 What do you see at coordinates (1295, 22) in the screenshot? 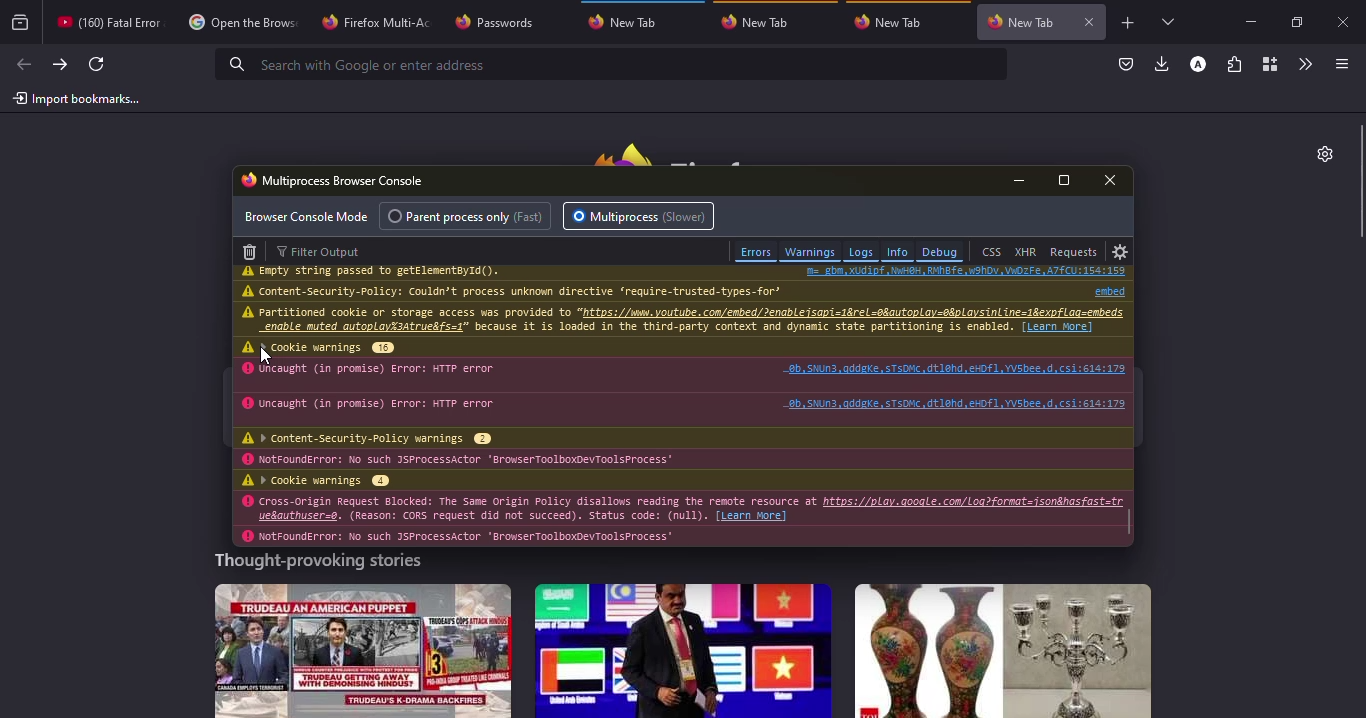
I see `maximize` at bounding box center [1295, 22].